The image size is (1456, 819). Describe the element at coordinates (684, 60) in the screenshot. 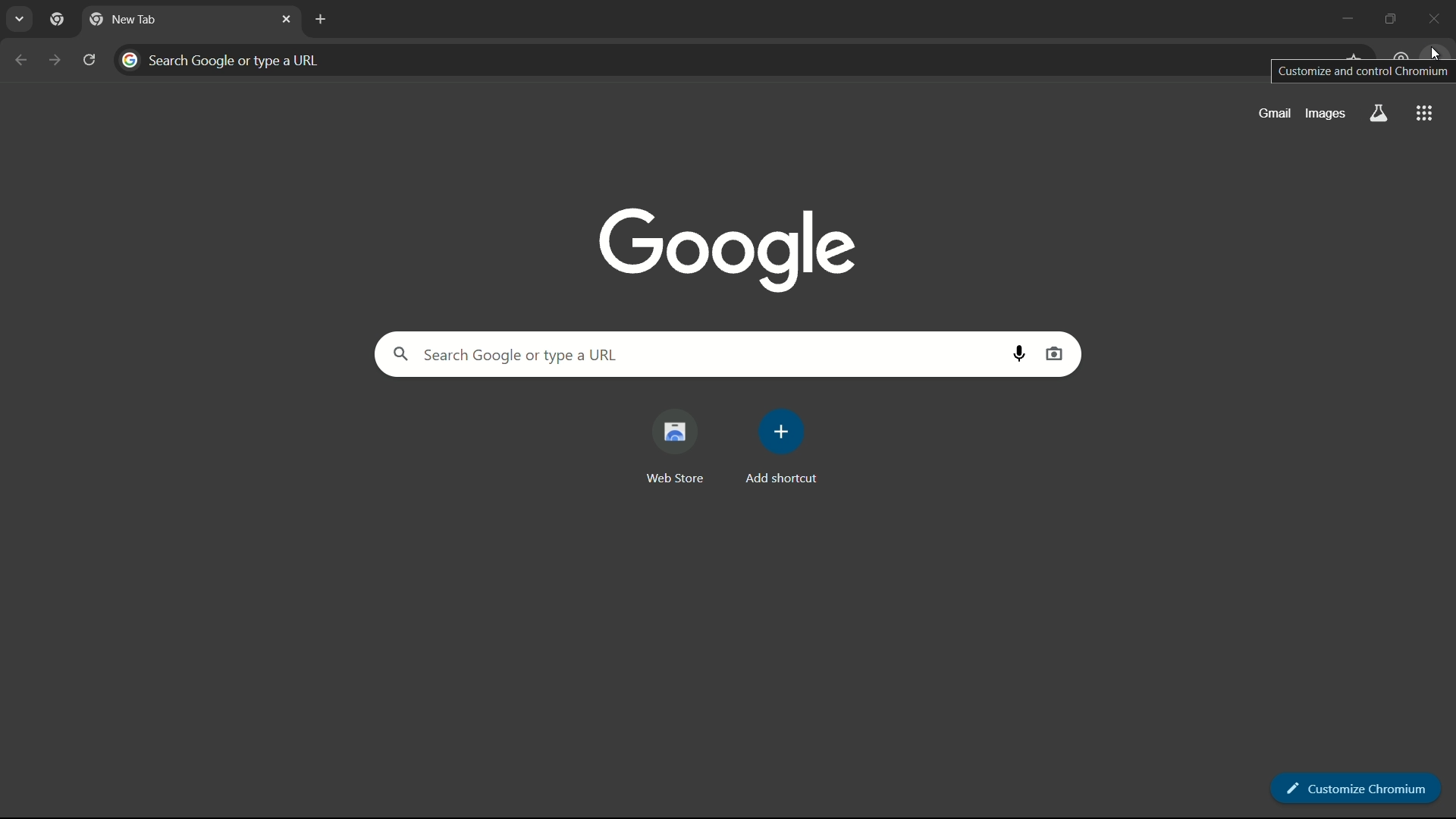

I see `search google or type a url` at that location.